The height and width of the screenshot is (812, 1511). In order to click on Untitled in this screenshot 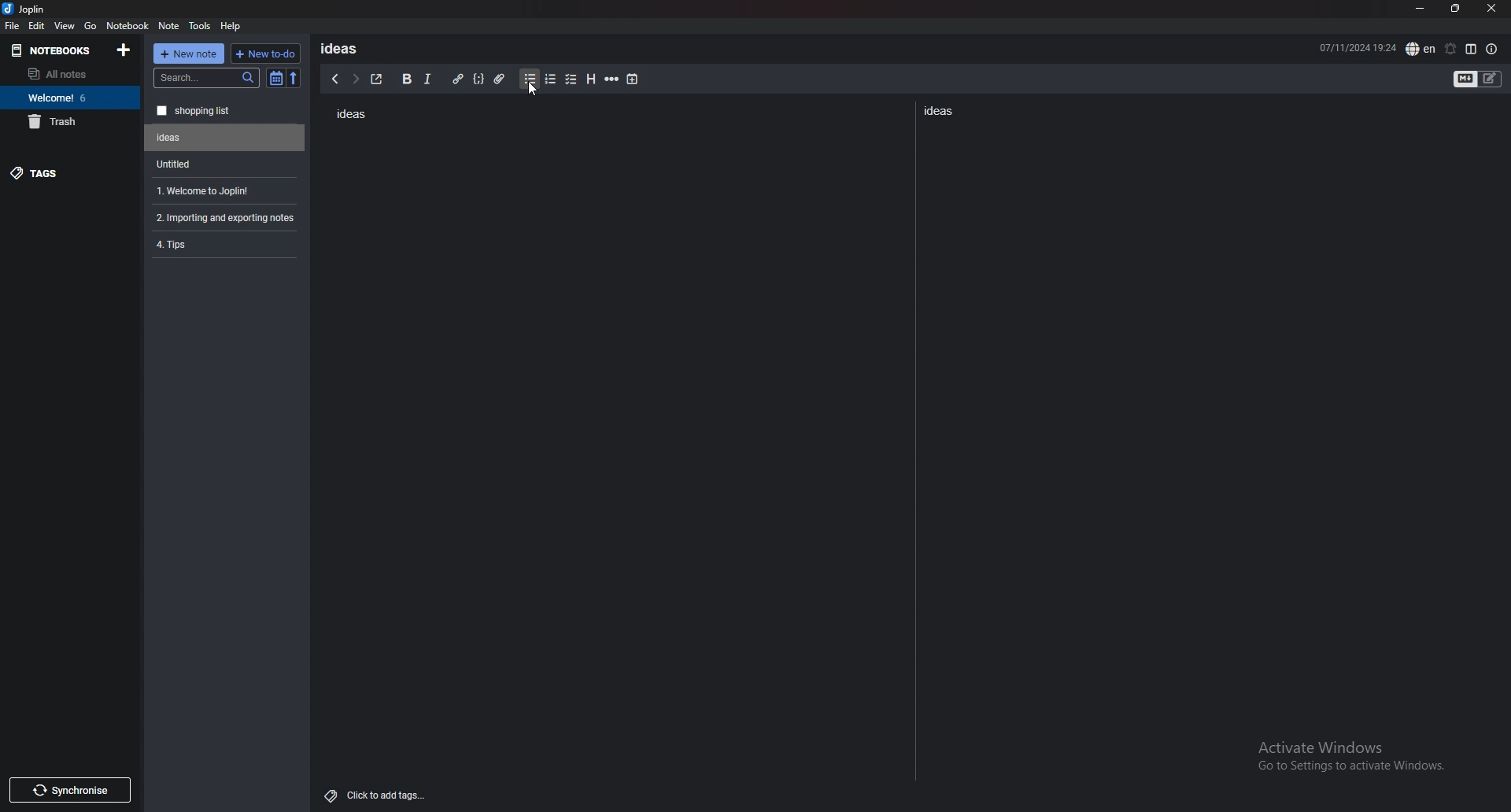, I will do `click(225, 138)`.